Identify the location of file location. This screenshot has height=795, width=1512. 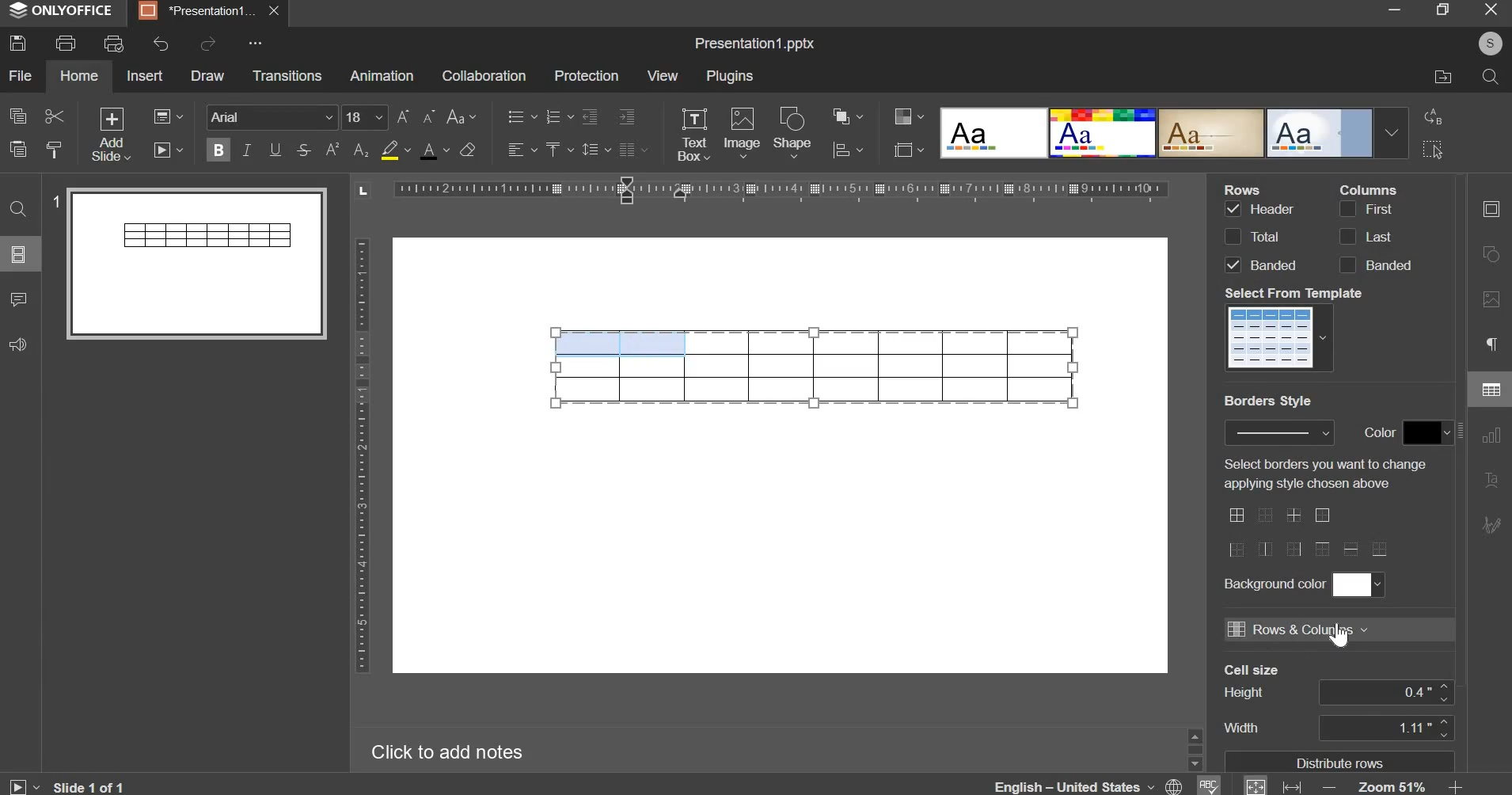
(1443, 75).